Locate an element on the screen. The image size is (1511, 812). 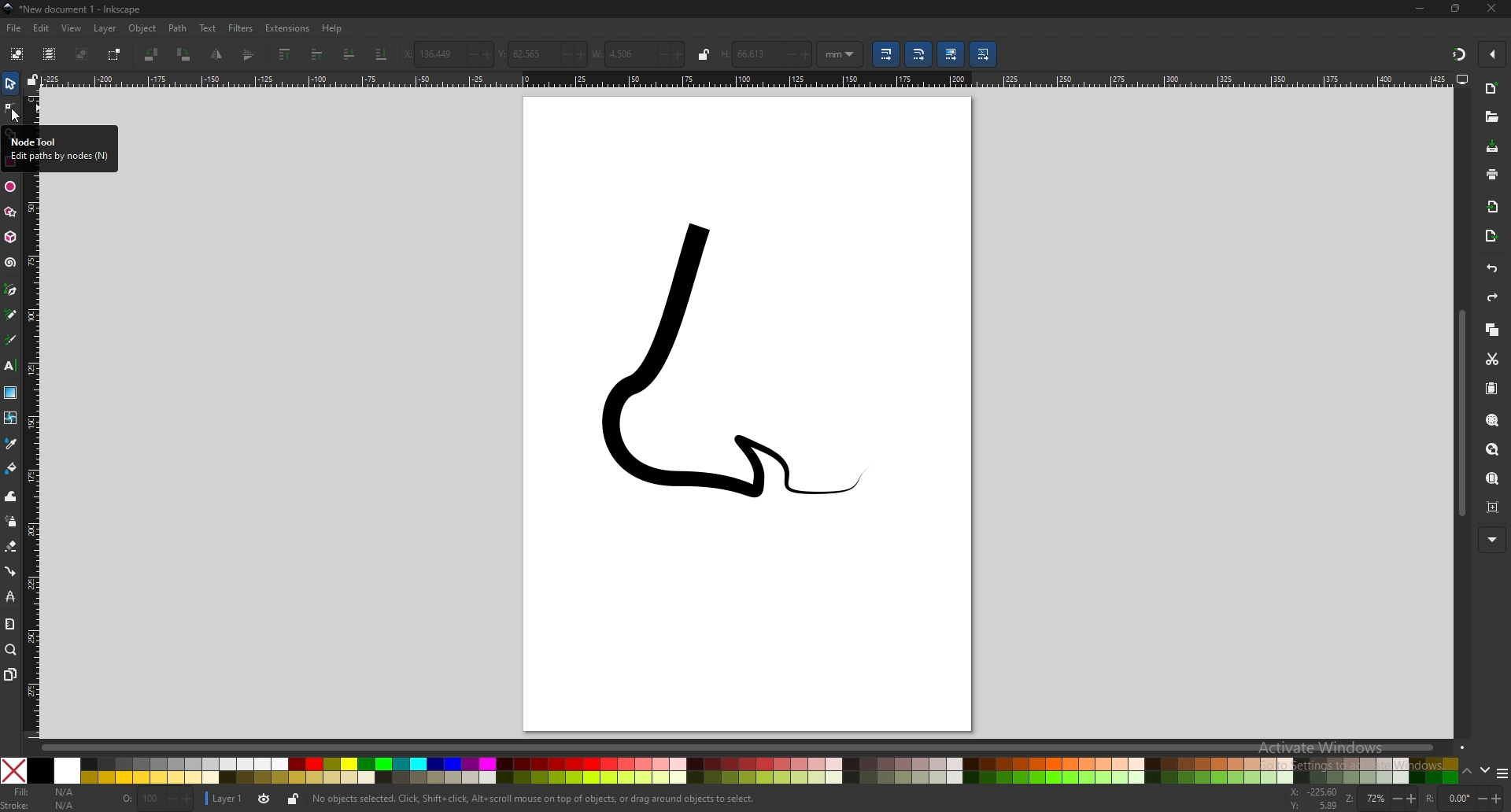
pen is located at coordinates (11, 290).